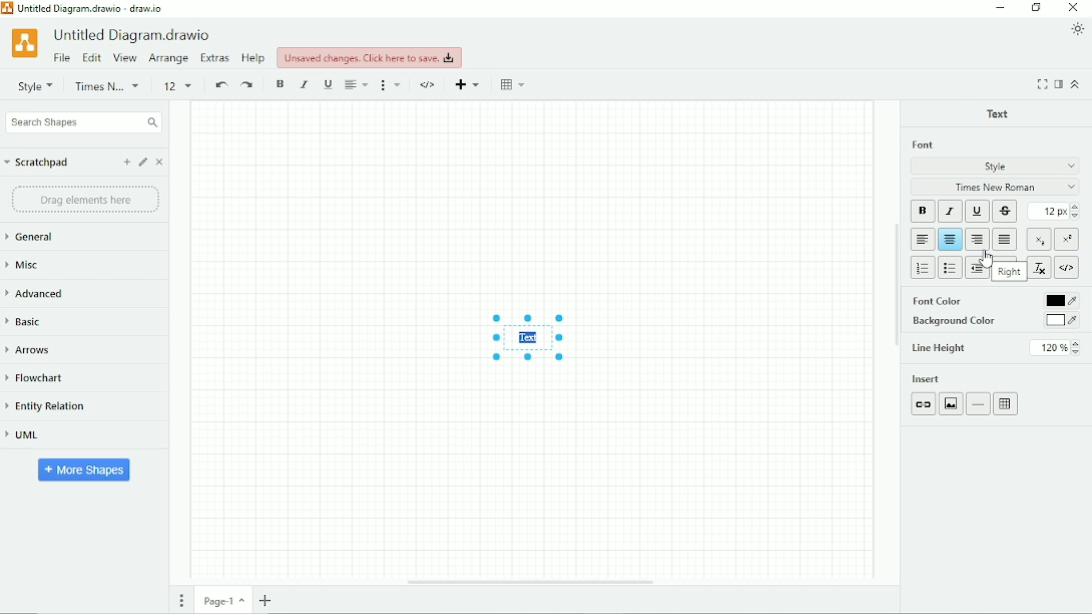 The width and height of the screenshot is (1092, 614). Describe the element at coordinates (1058, 84) in the screenshot. I see `Format` at that location.